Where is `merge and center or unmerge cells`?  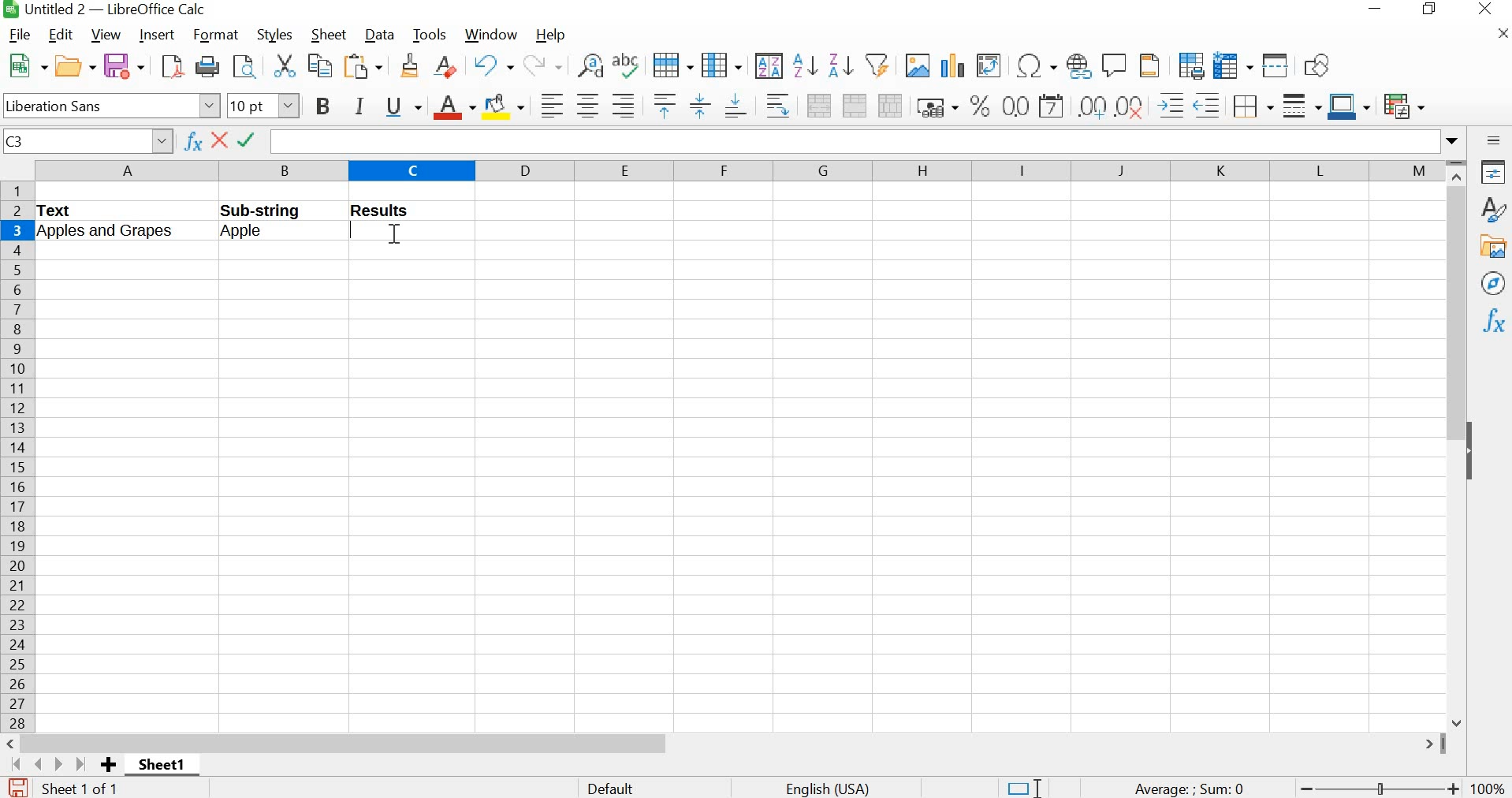
merge and center or unmerge cells is located at coordinates (818, 104).